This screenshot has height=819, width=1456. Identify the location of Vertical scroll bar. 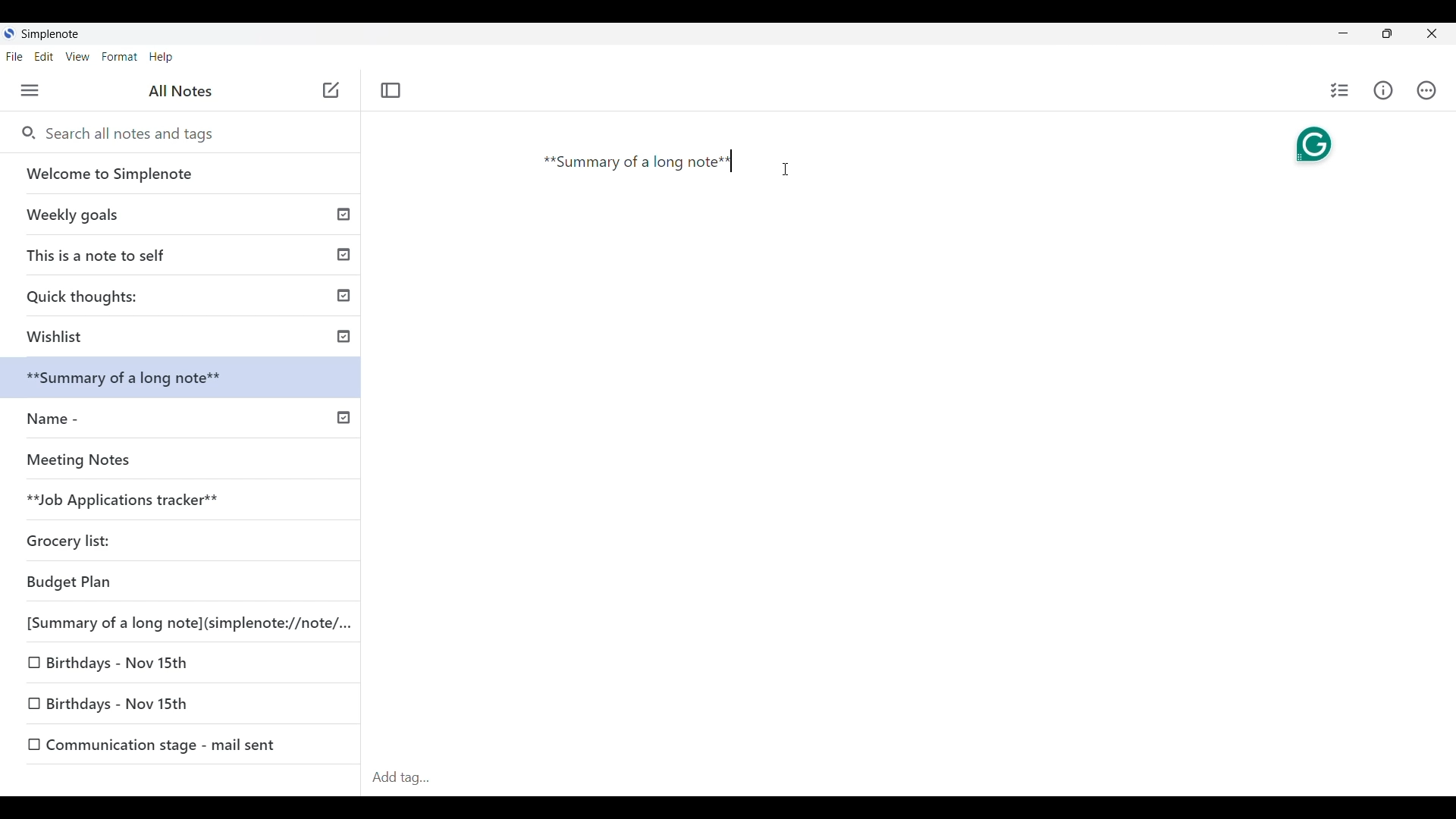
(1442, 419).